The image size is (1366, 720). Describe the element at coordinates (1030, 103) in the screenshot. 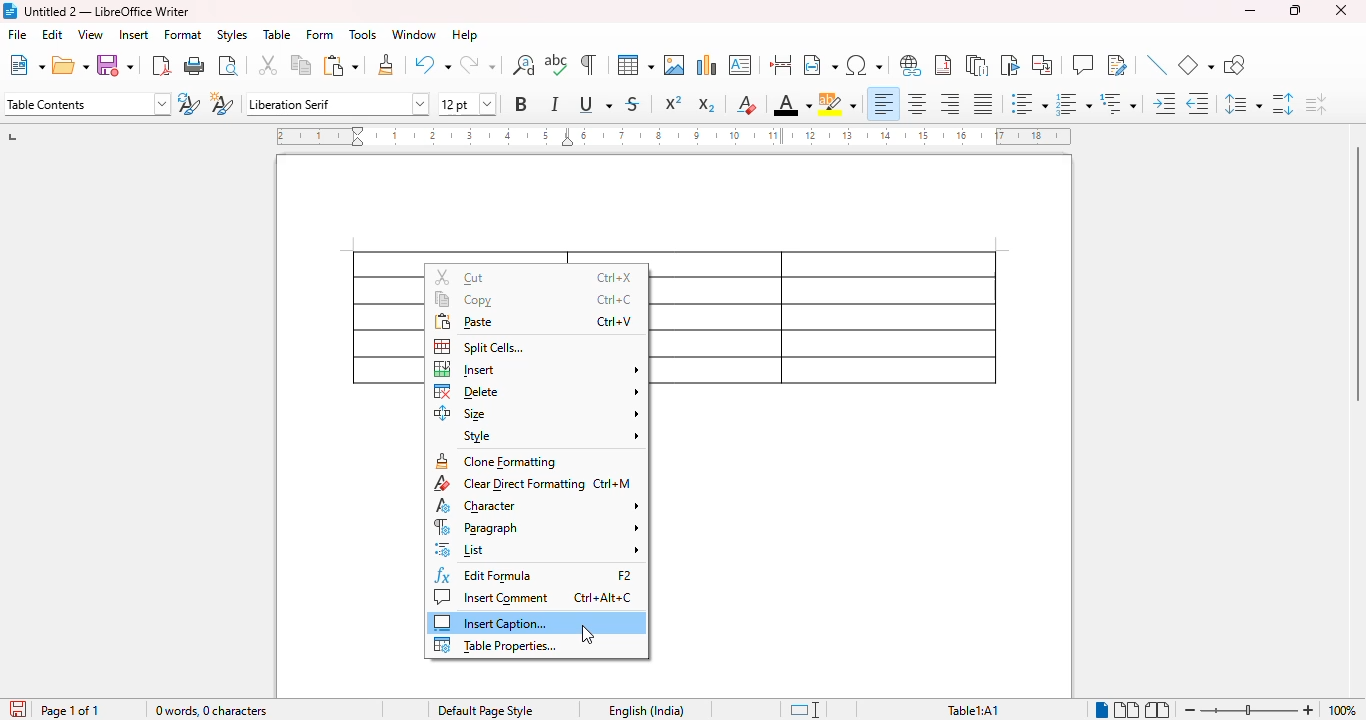

I see `toggle unordered list` at that location.